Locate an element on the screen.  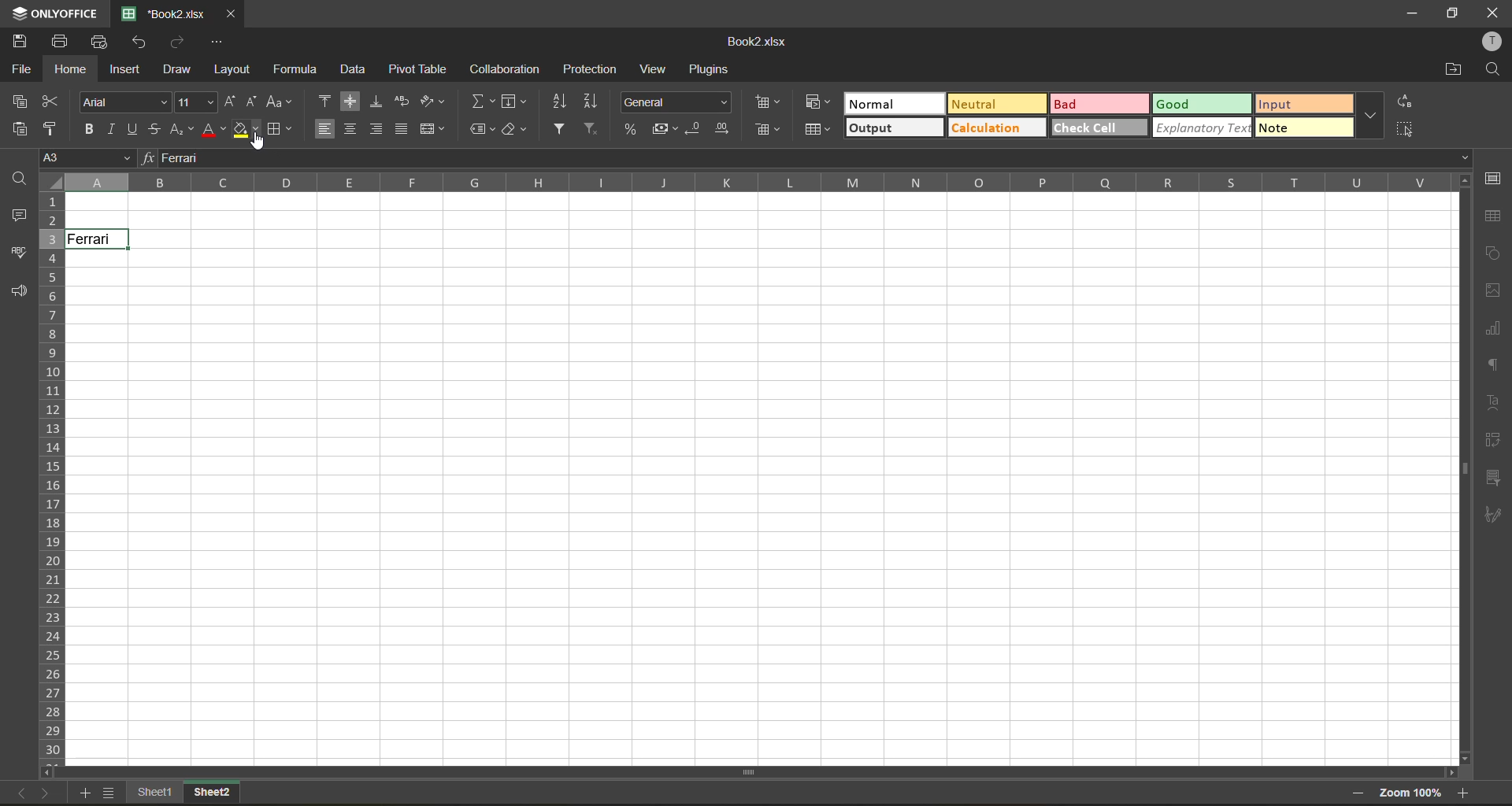
sheet 2 is located at coordinates (218, 794).